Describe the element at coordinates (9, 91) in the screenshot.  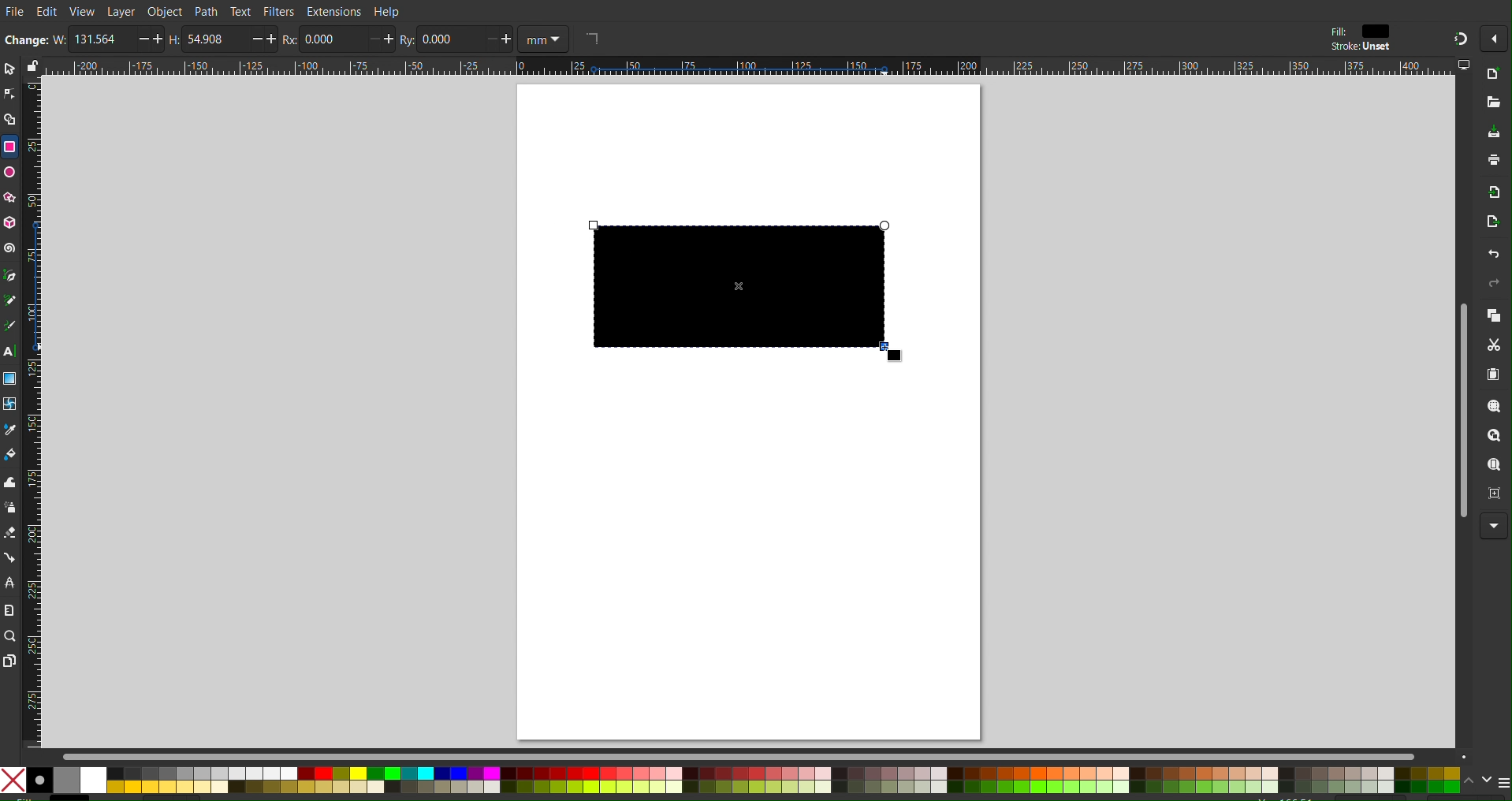
I see `Node Tool` at that location.